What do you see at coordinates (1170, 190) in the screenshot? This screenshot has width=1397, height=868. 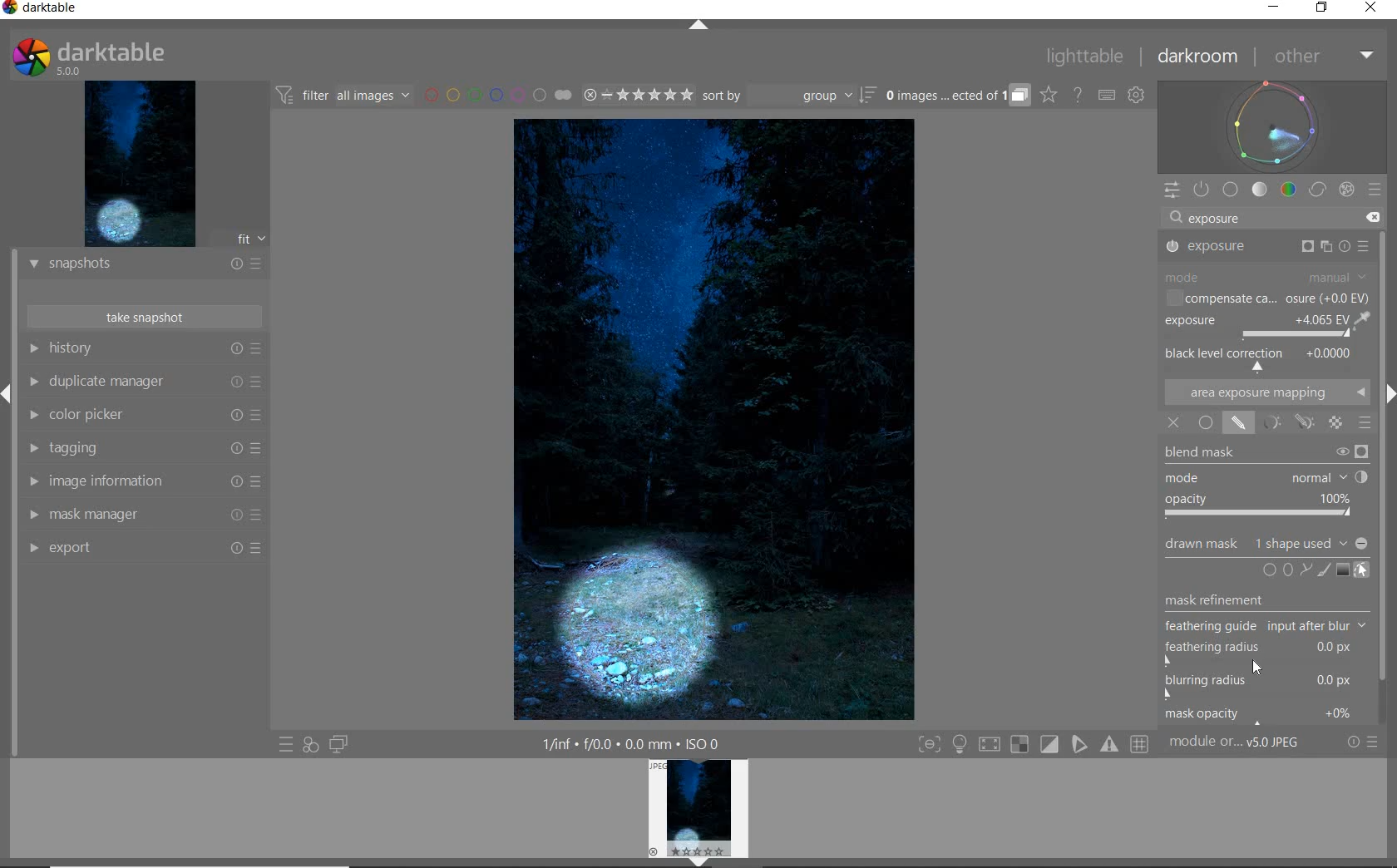 I see `QUICK ACCESS PANEL` at bounding box center [1170, 190].